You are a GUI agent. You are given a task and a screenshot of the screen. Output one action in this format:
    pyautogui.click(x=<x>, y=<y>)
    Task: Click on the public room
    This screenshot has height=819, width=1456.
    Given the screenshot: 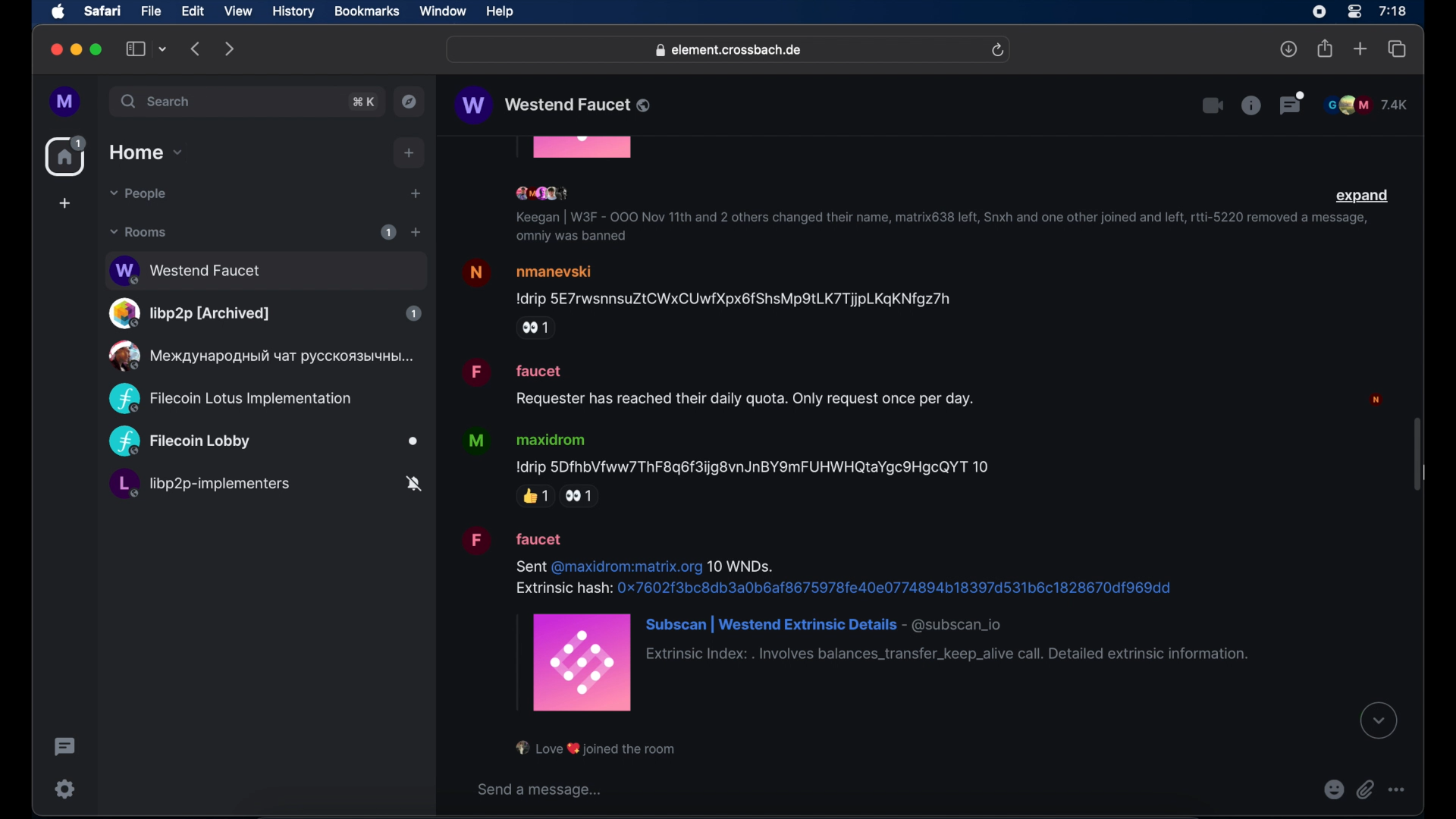 What is the action you would take?
    pyautogui.click(x=259, y=356)
    